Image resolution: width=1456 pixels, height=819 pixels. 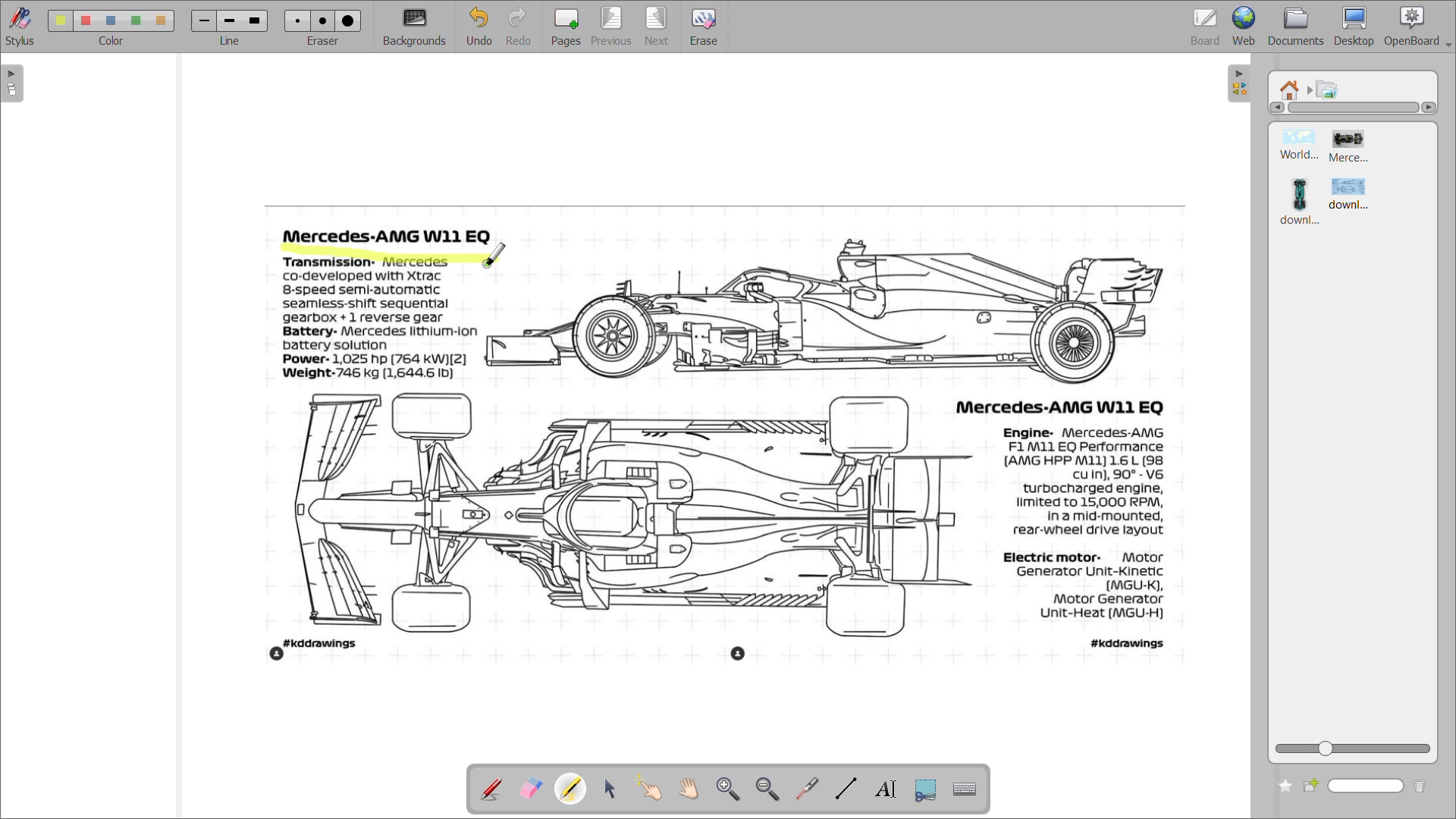 I want to click on color 4, so click(x=136, y=22).